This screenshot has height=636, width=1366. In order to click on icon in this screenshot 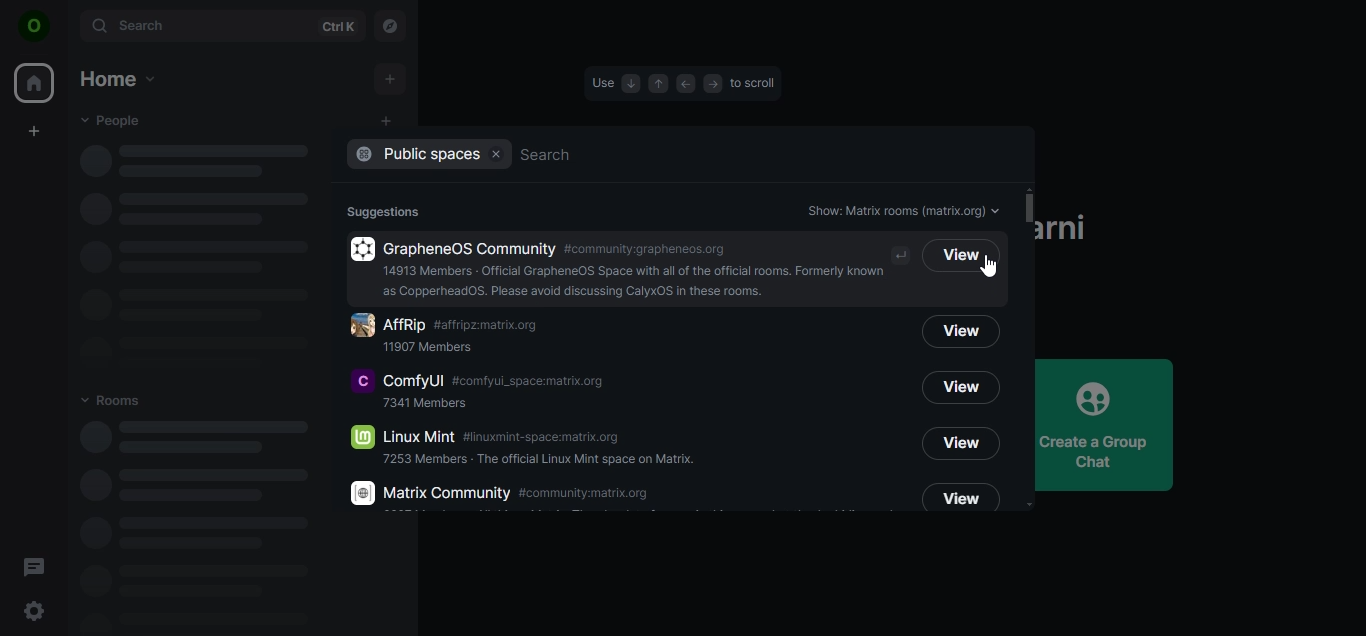, I will do `click(34, 27)`.